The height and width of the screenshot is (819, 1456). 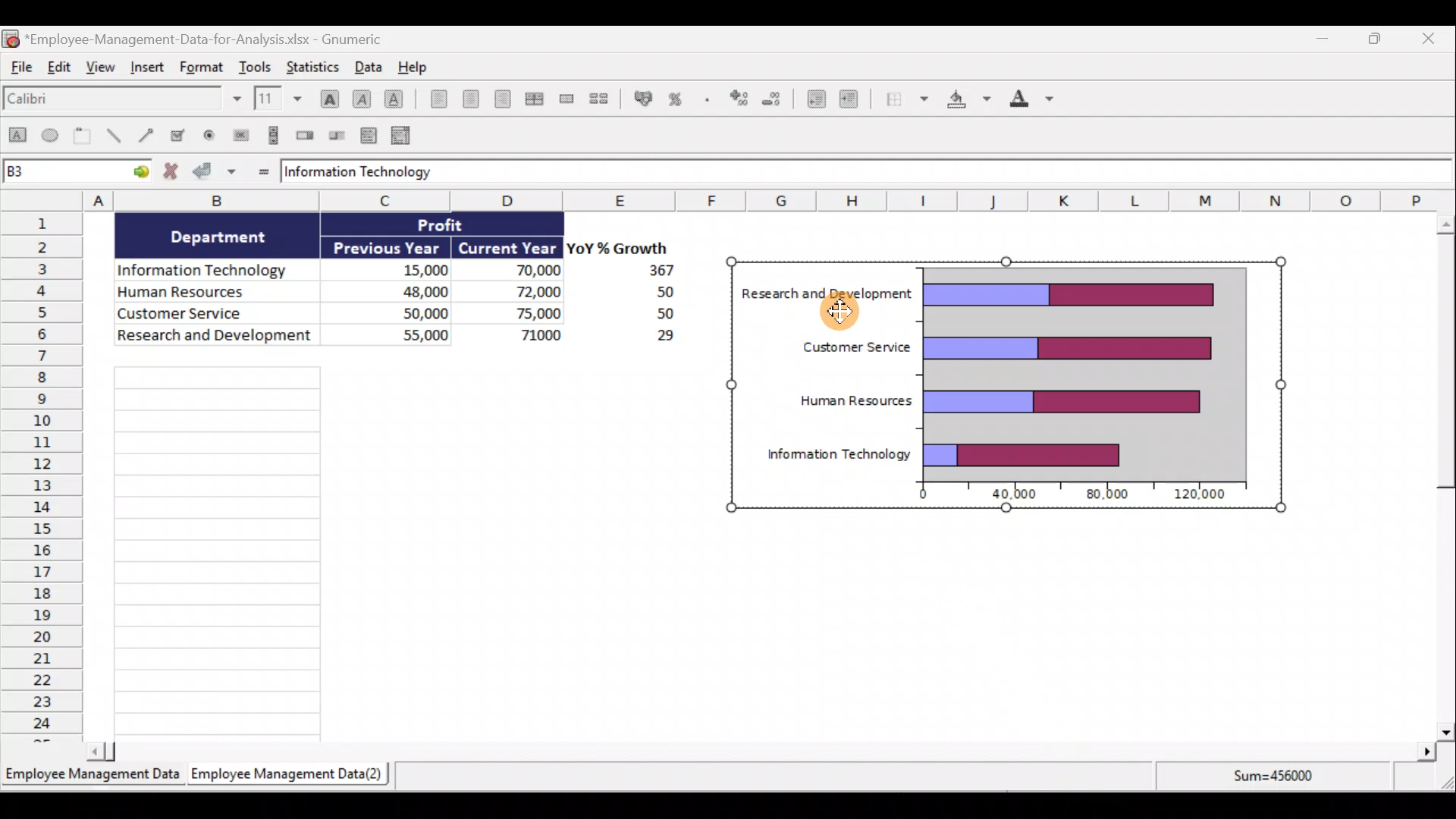 What do you see at coordinates (566, 99) in the screenshot?
I see `Merge a range of cells` at bounding box center [566, 99].